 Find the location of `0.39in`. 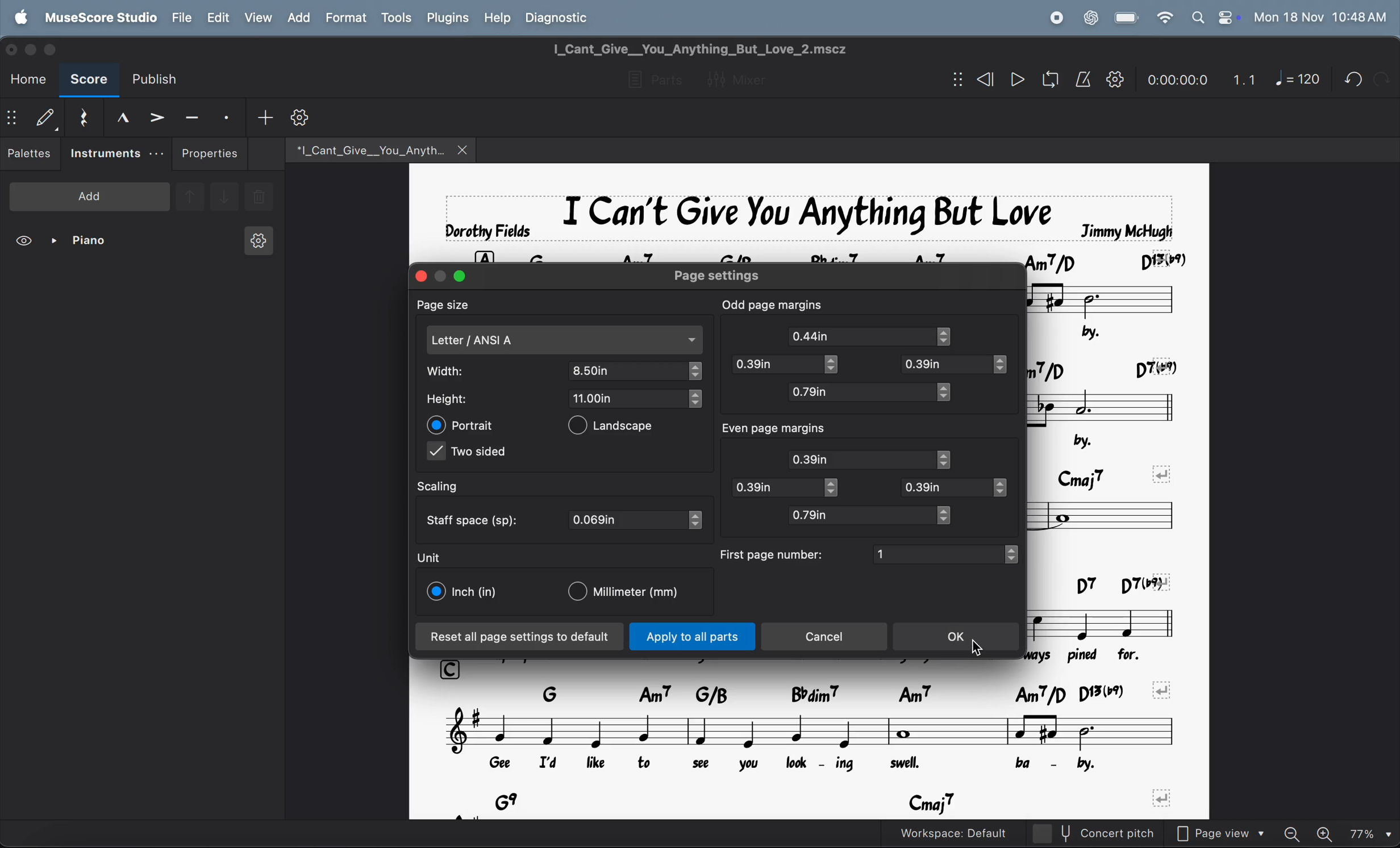

0.39in is located at coordinates (947, 487).